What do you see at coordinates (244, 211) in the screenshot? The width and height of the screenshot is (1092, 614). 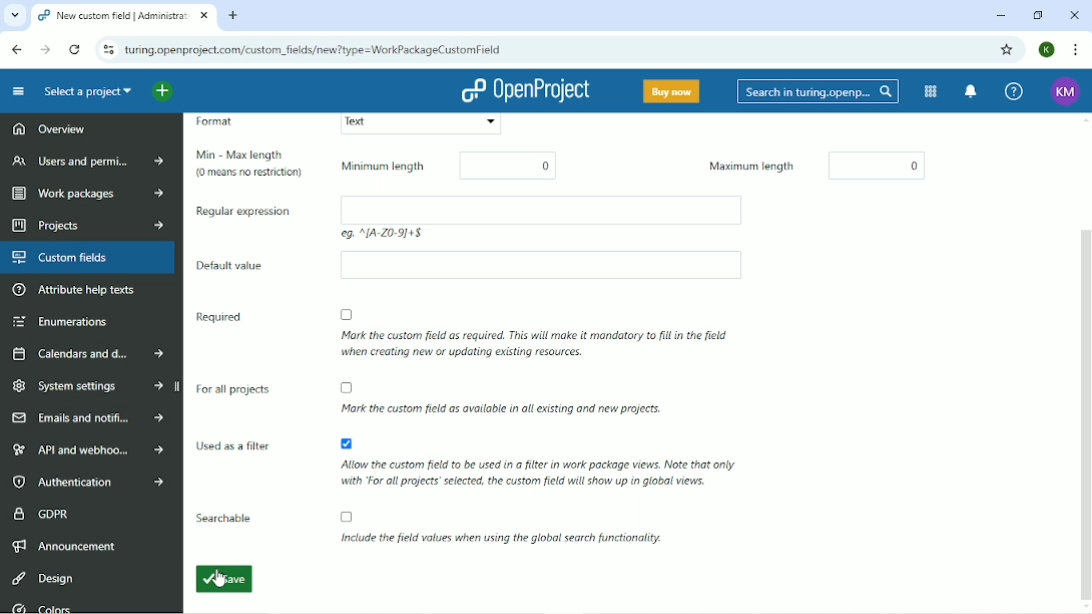 I see `Regular expression` at bounding box center [244, 211].